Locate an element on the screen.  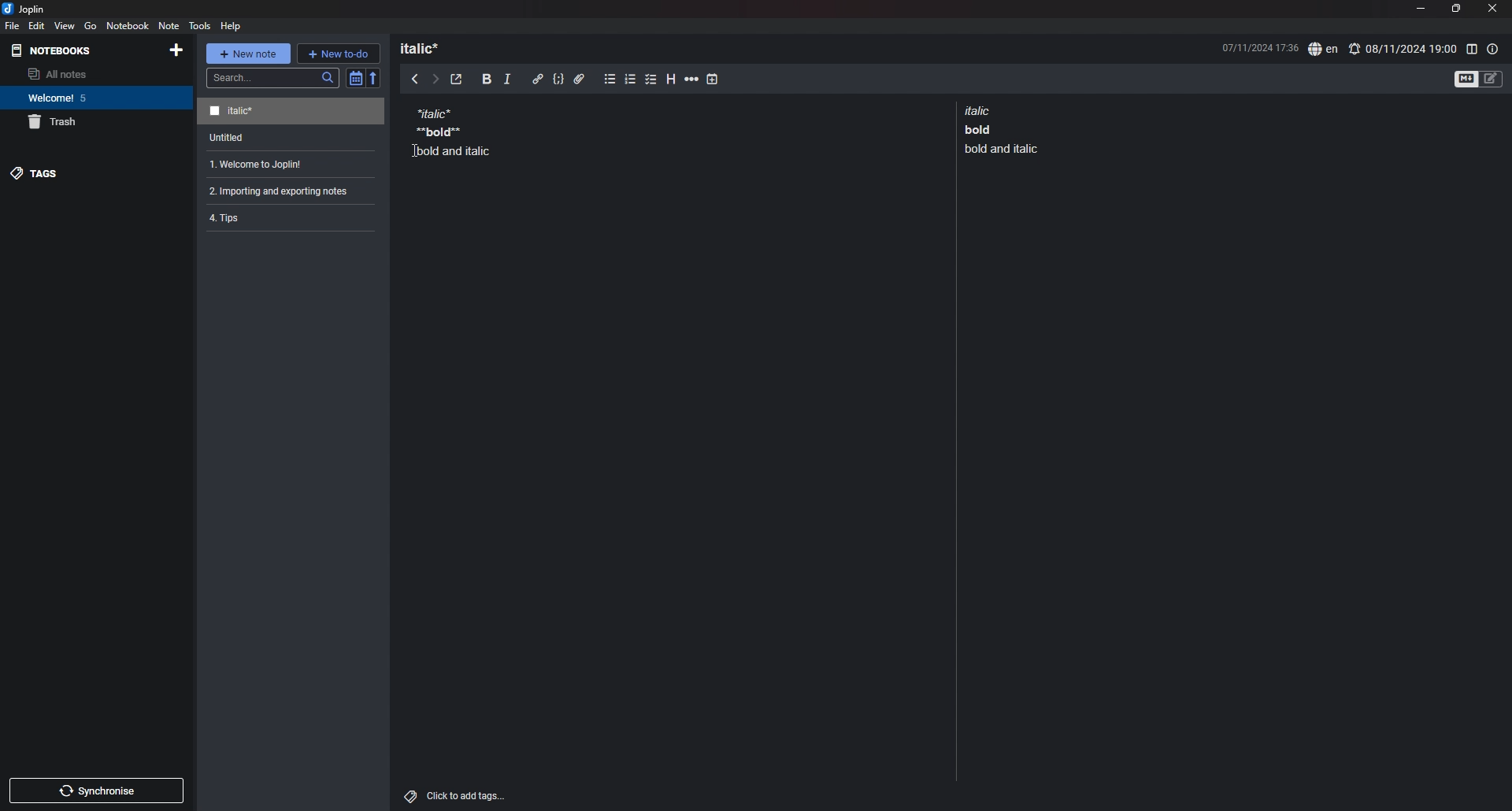
italic is located at coordinates (507, 82).